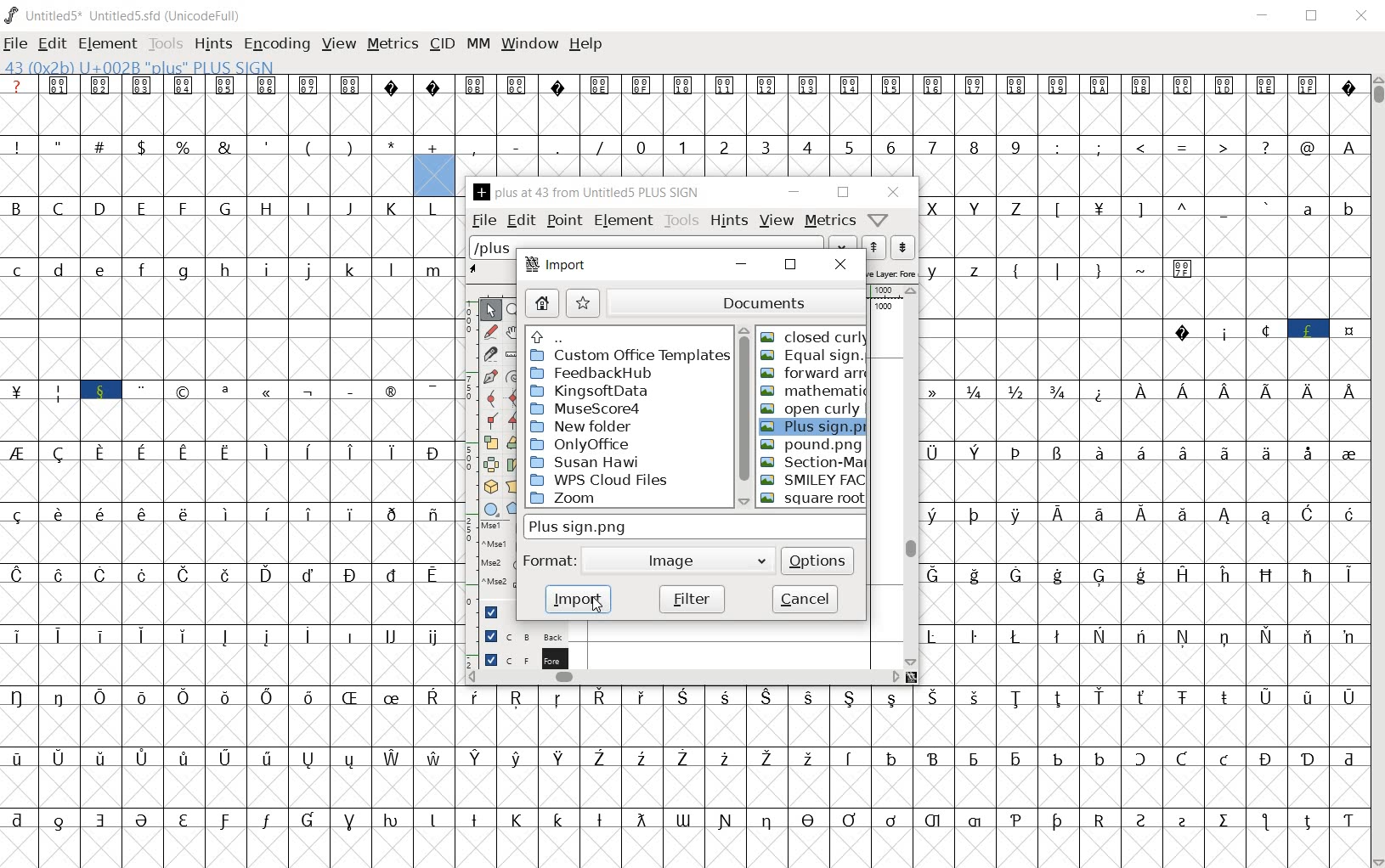 This screenshot has height=868, width=1385. What do you see at coordinates (514, 375) in the screenshot?
I see `change whether spiro is active or not` at bounding box center [514, 375].